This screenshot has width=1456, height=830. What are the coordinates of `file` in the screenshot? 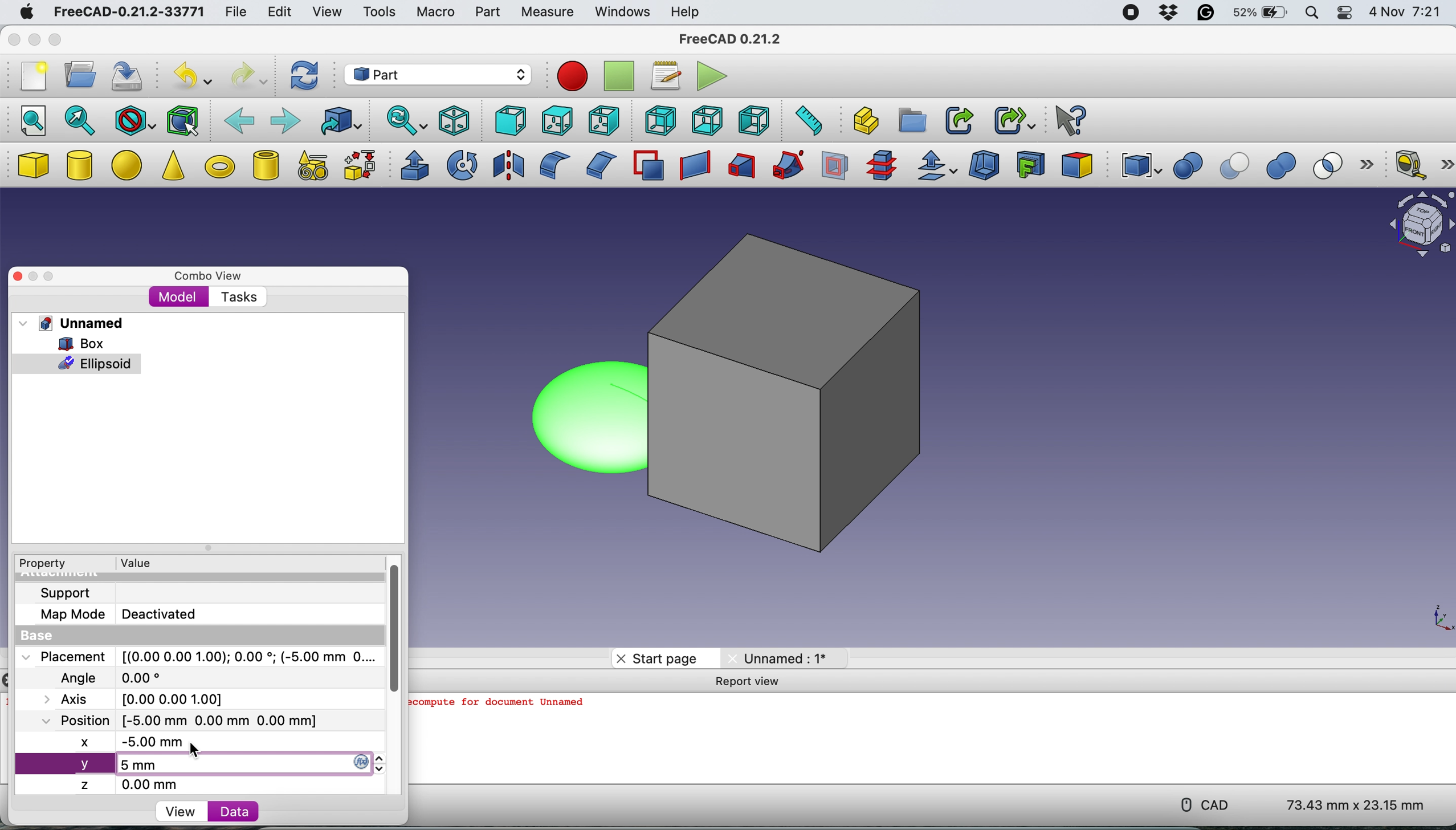 It's located at (236, 13).